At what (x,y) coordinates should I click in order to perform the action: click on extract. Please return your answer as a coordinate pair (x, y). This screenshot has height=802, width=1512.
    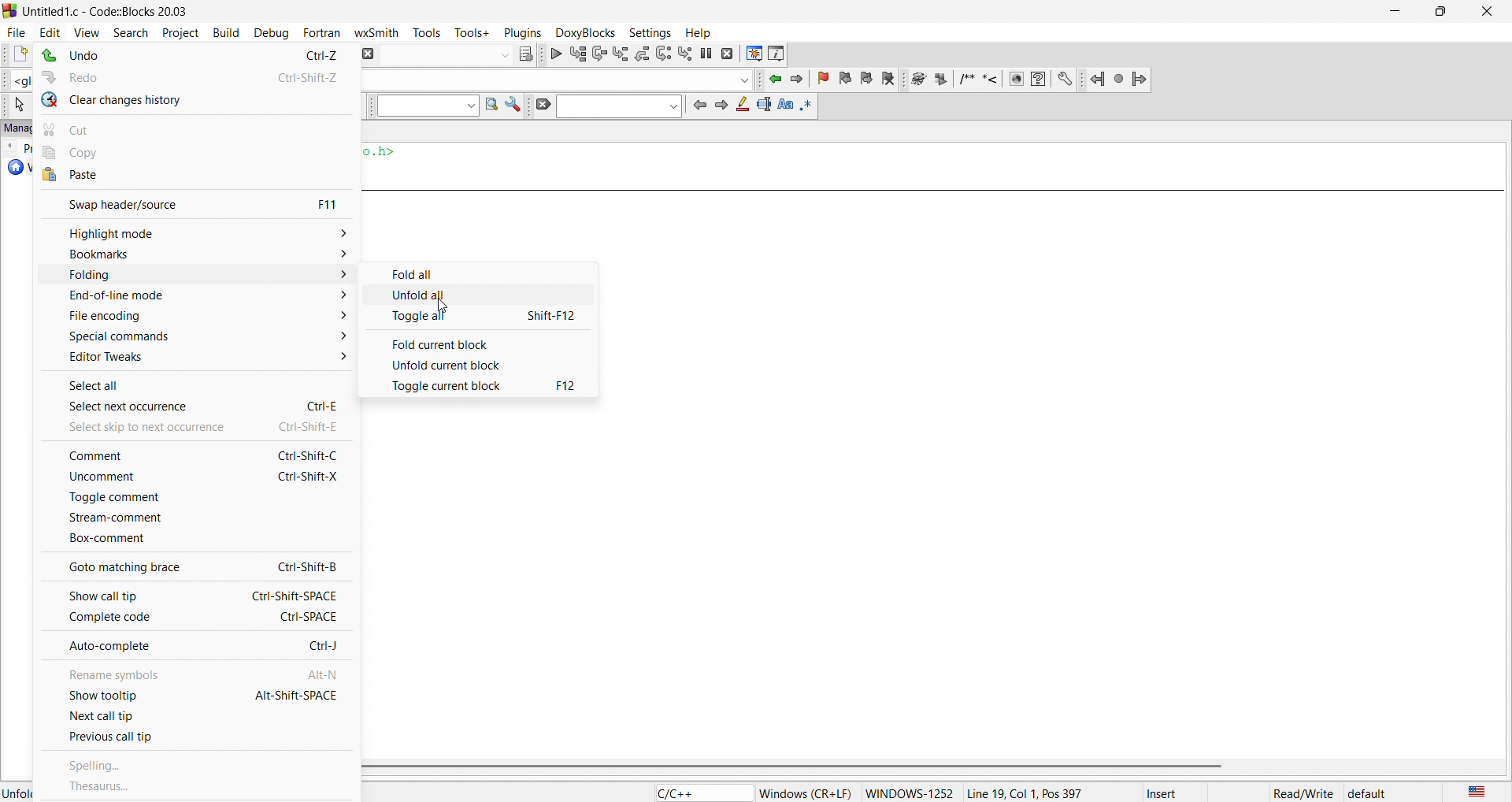
    Looking at the image, I should click on (942, 80).